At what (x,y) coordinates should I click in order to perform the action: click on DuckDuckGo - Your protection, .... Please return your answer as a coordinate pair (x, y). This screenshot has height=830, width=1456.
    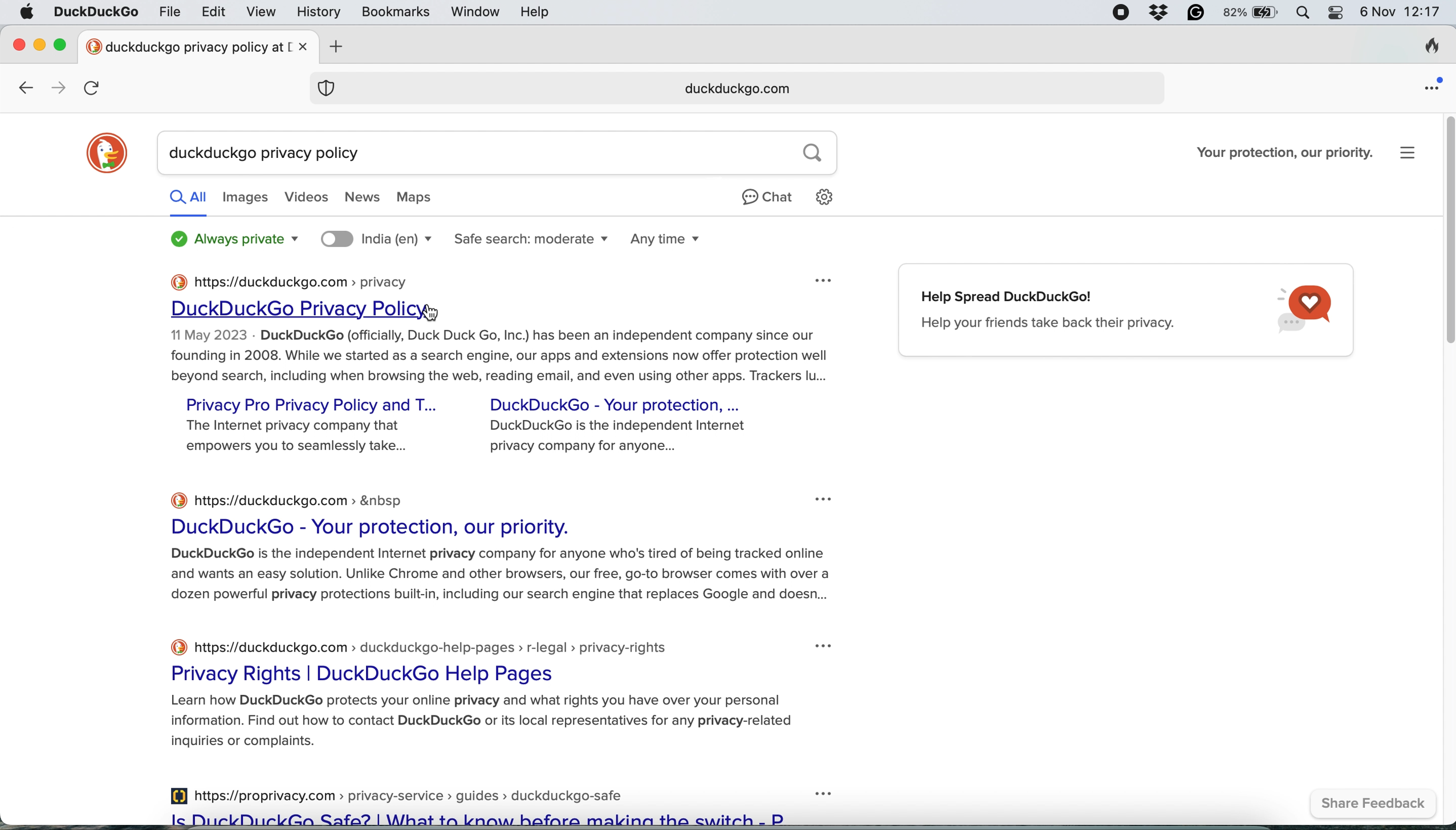
    Looking at the image, I should click on (604, 402).